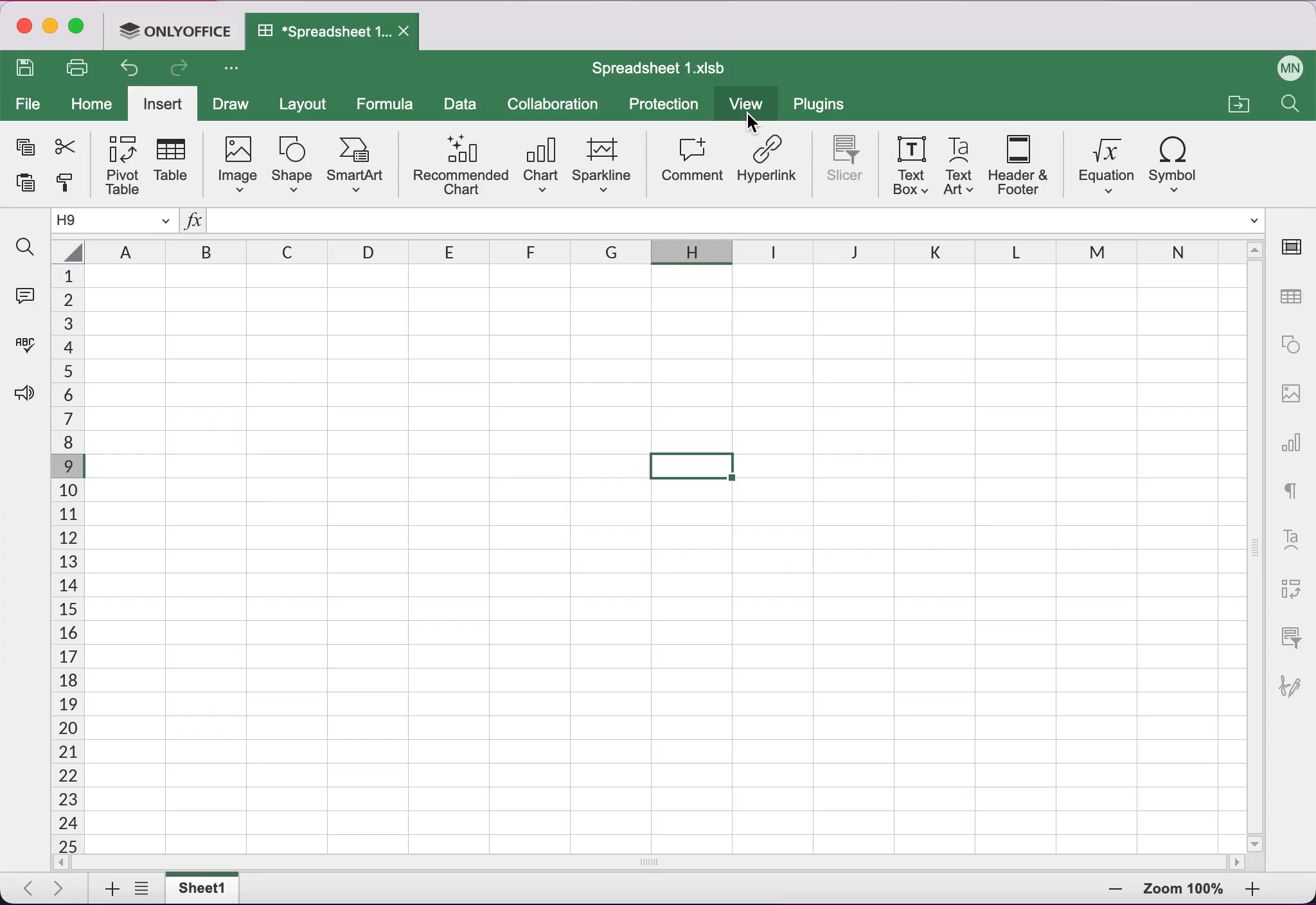 Image resolution: width=1316 pixels, height=905 pixels. What do you see at coordinates (826, 107) in the screenshot?
I see `plugins` at bounding box center [826, 107].